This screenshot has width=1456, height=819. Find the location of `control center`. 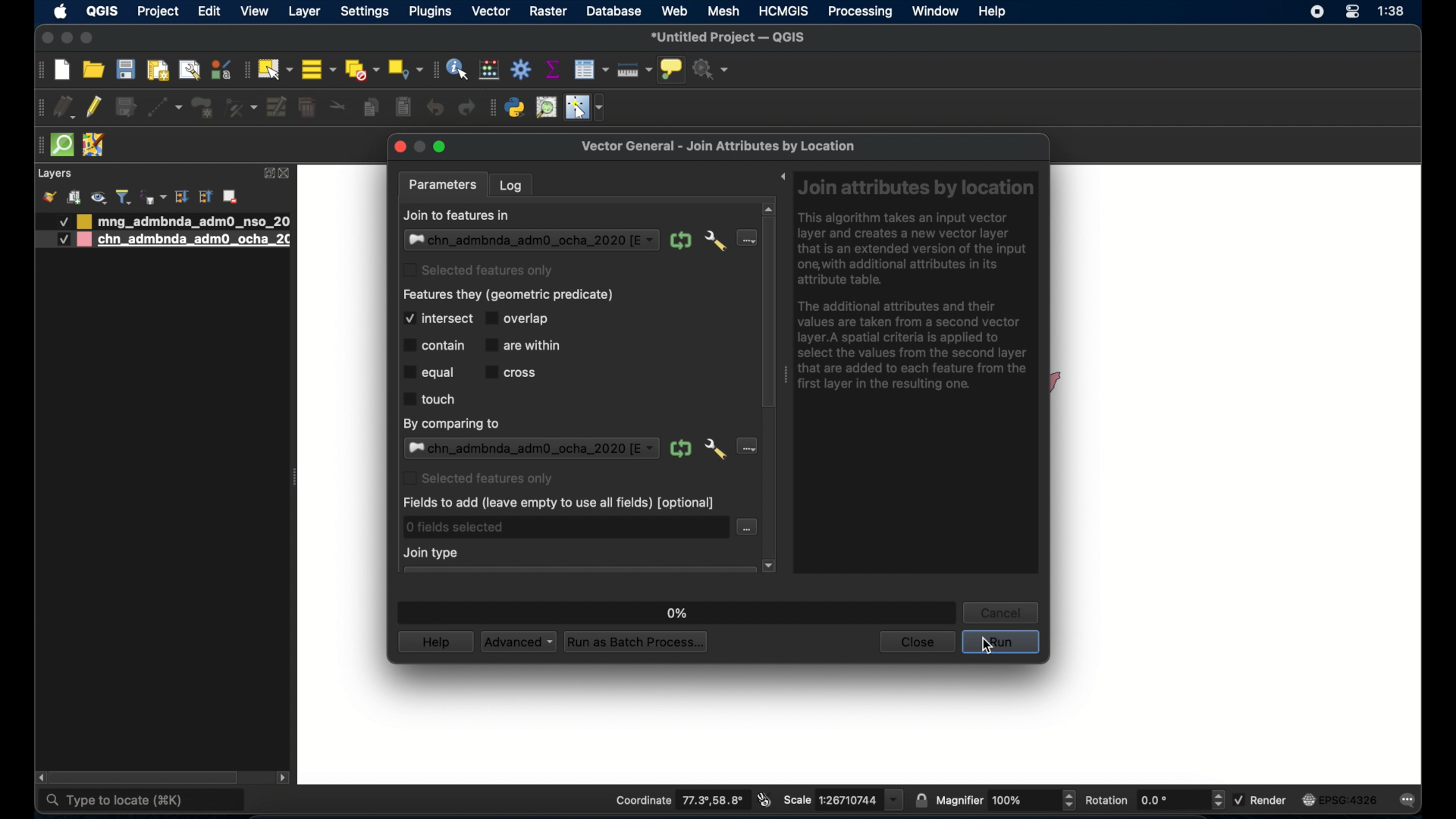

control center is located at coordinates (1353, 11).